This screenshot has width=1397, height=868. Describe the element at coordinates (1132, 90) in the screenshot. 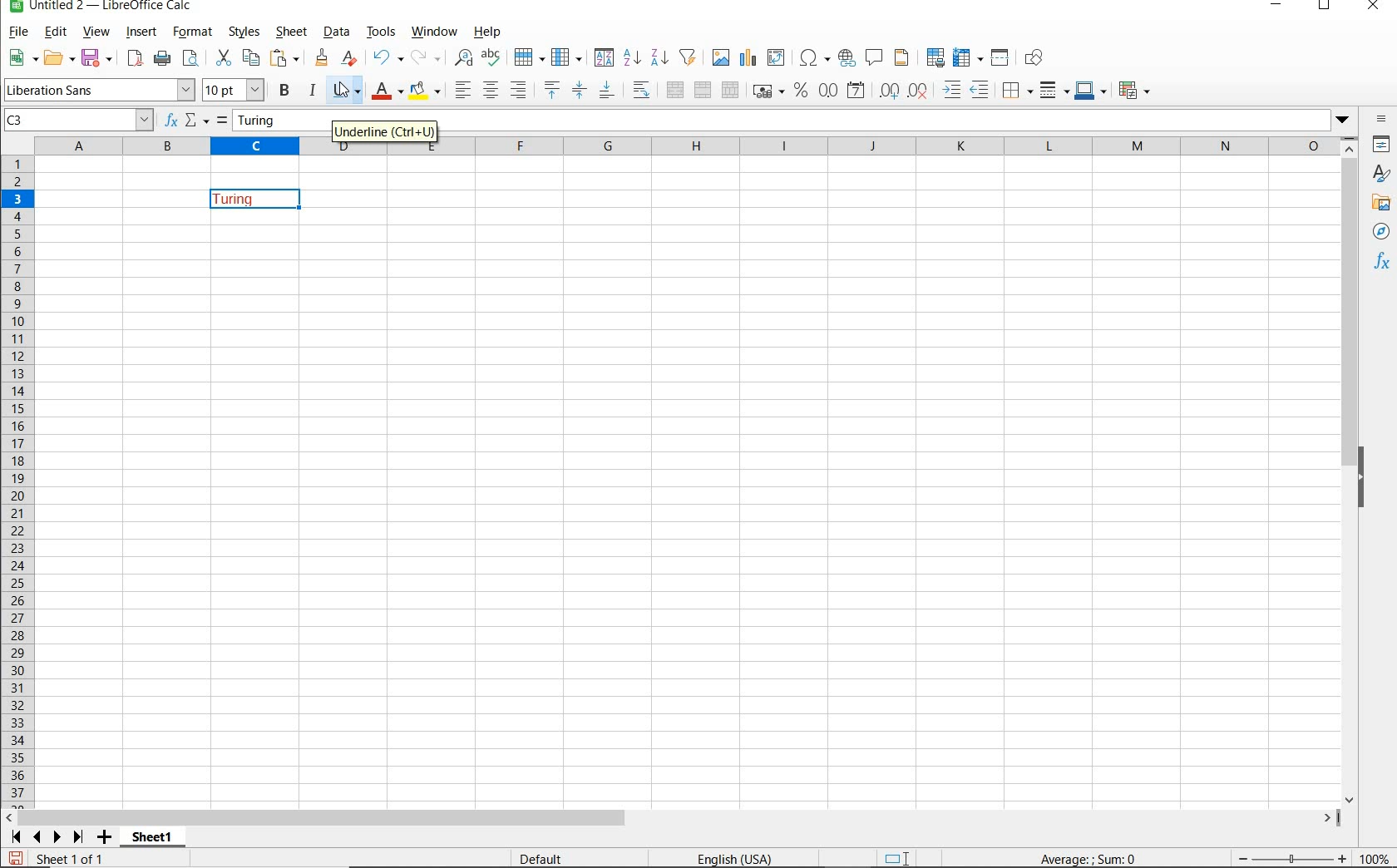

I see `CONDITIONAL` at that location.